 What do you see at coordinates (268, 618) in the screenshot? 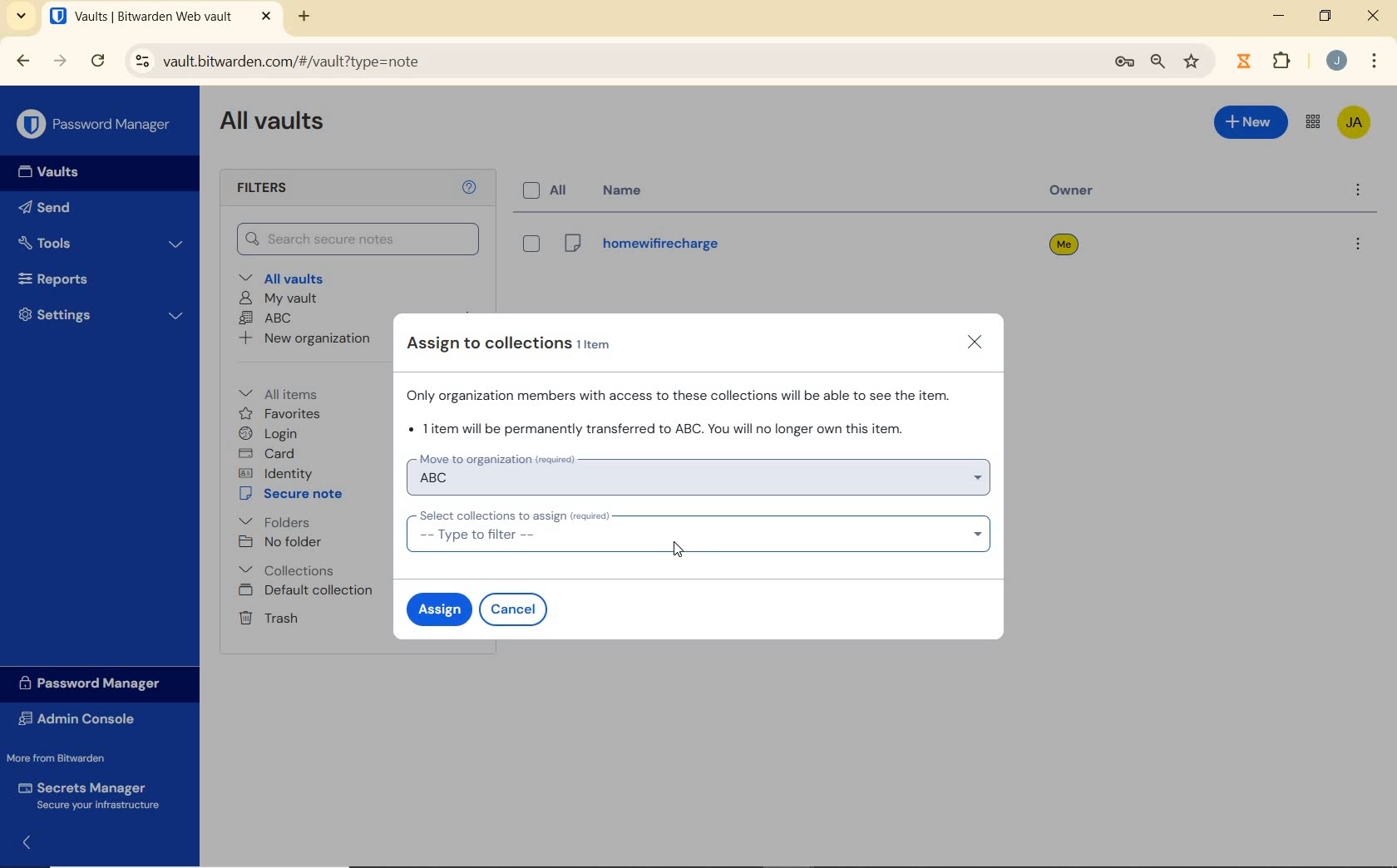
I see `Trash` at bounding box center [268, 618].